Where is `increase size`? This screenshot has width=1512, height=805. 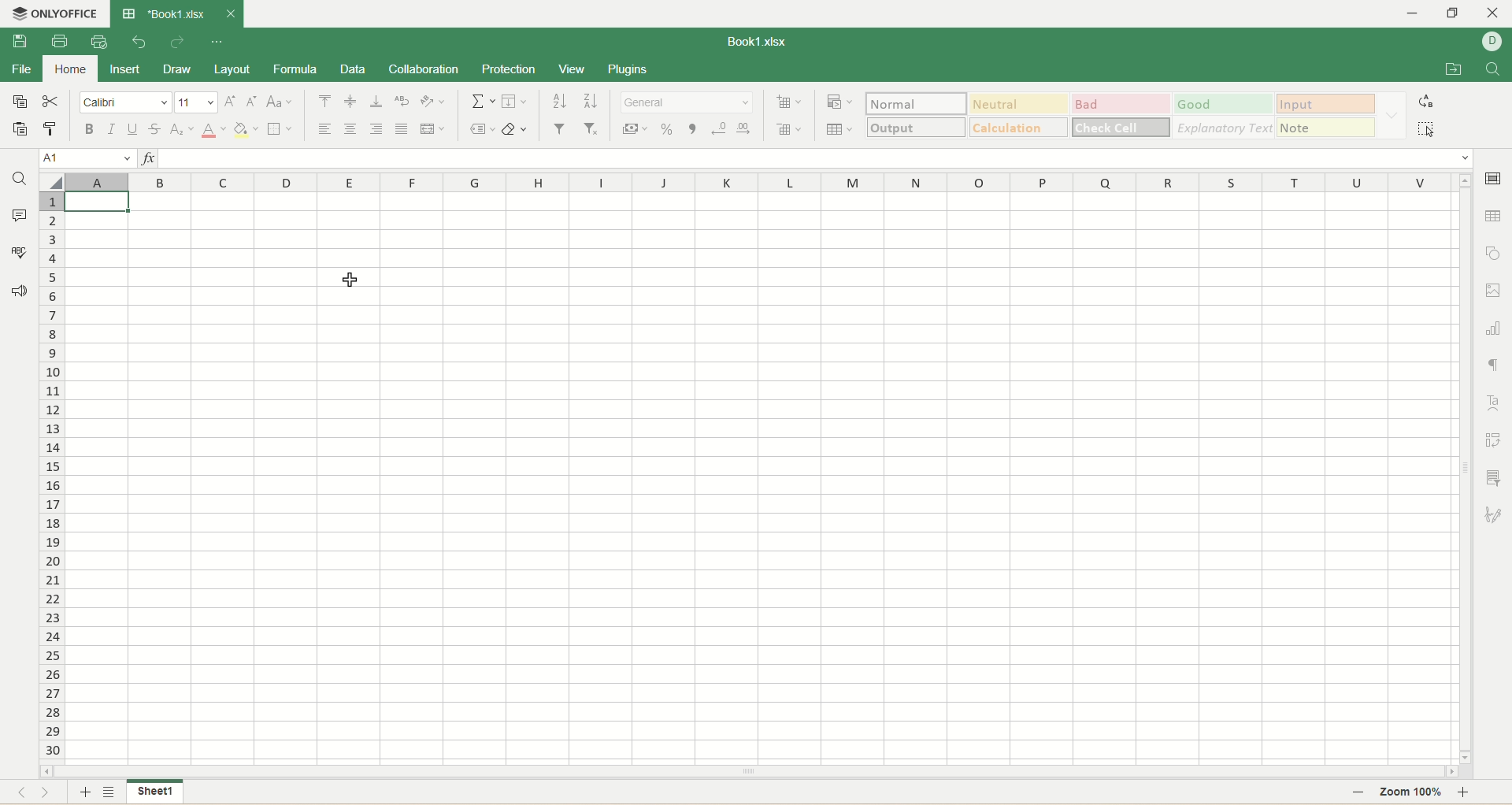 increase size is located at coordinates (231, 102).